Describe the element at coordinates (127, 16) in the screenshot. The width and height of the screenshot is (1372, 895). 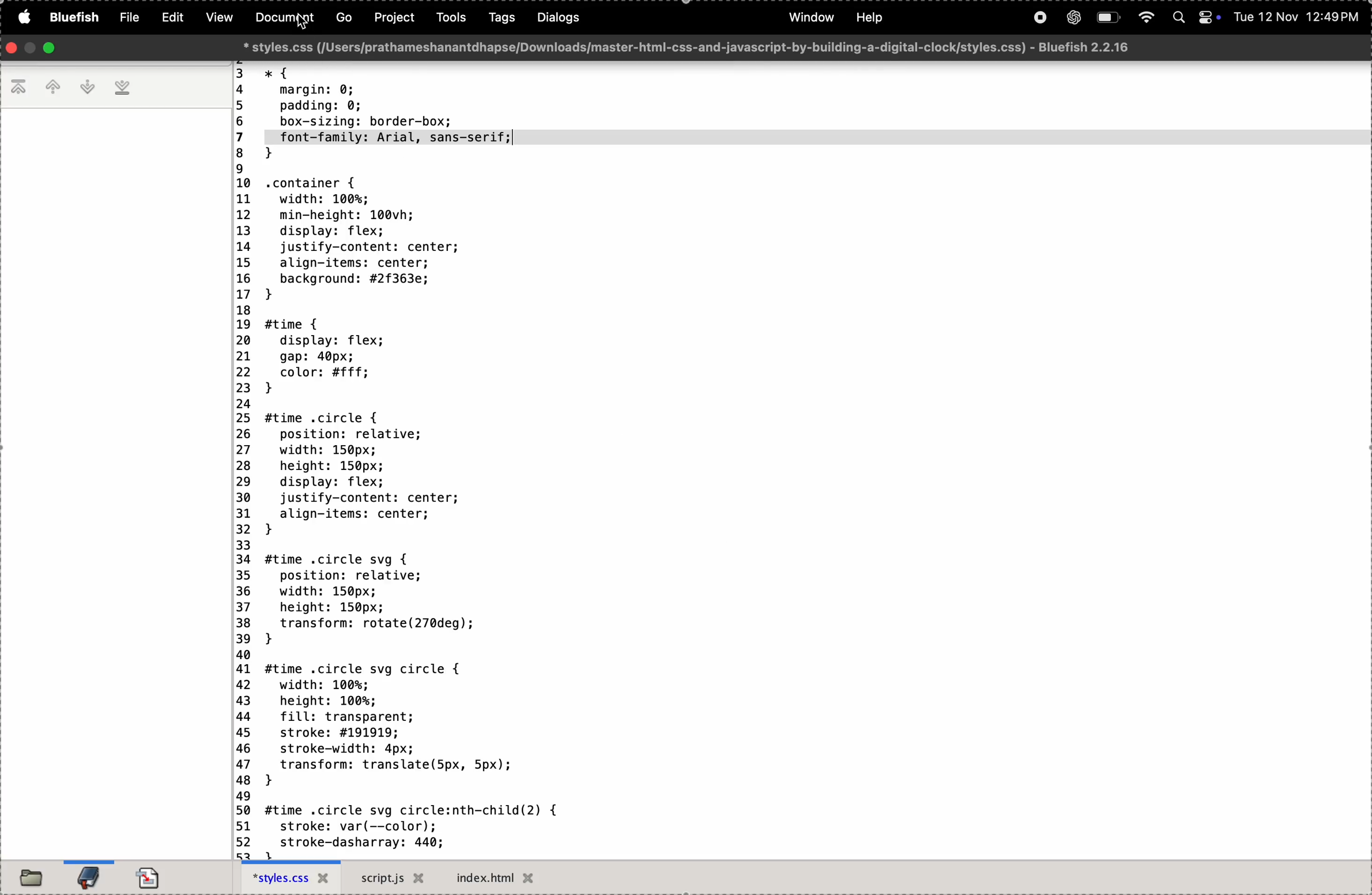
I see `file` at that location.